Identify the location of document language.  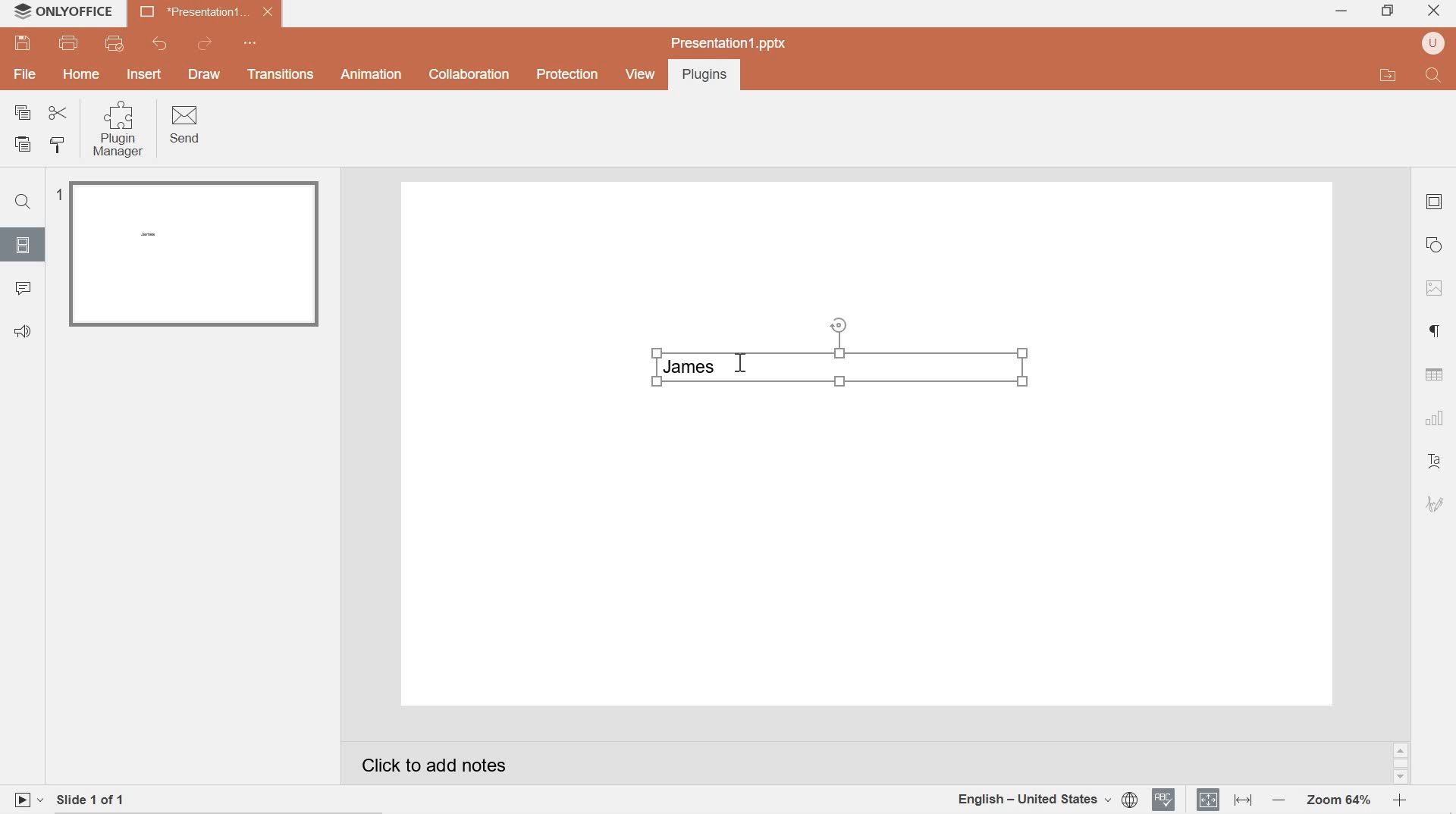
(1046, 797).